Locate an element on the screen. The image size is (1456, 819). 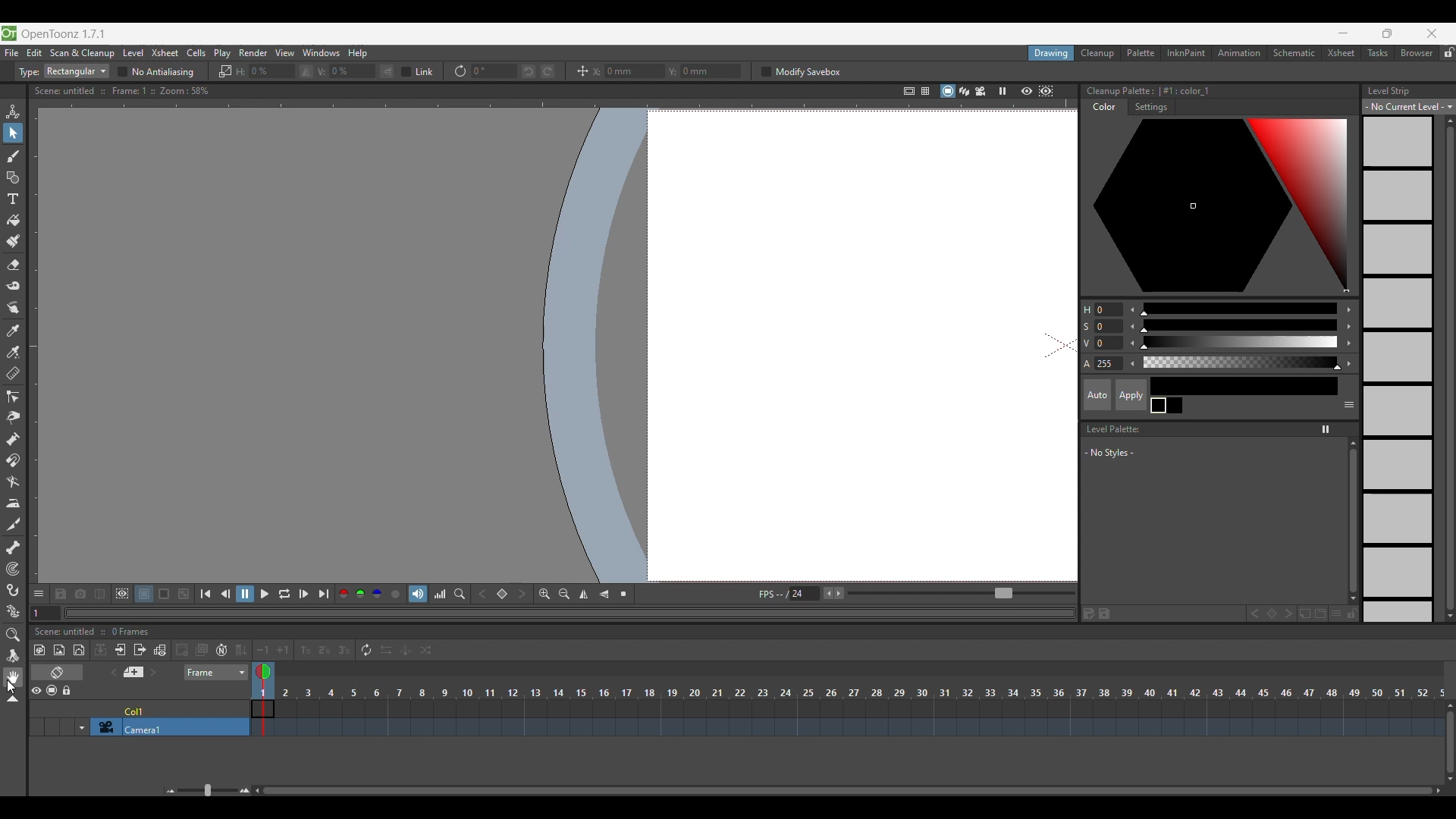
OpenToonz version is located at coordinates (64, 34).